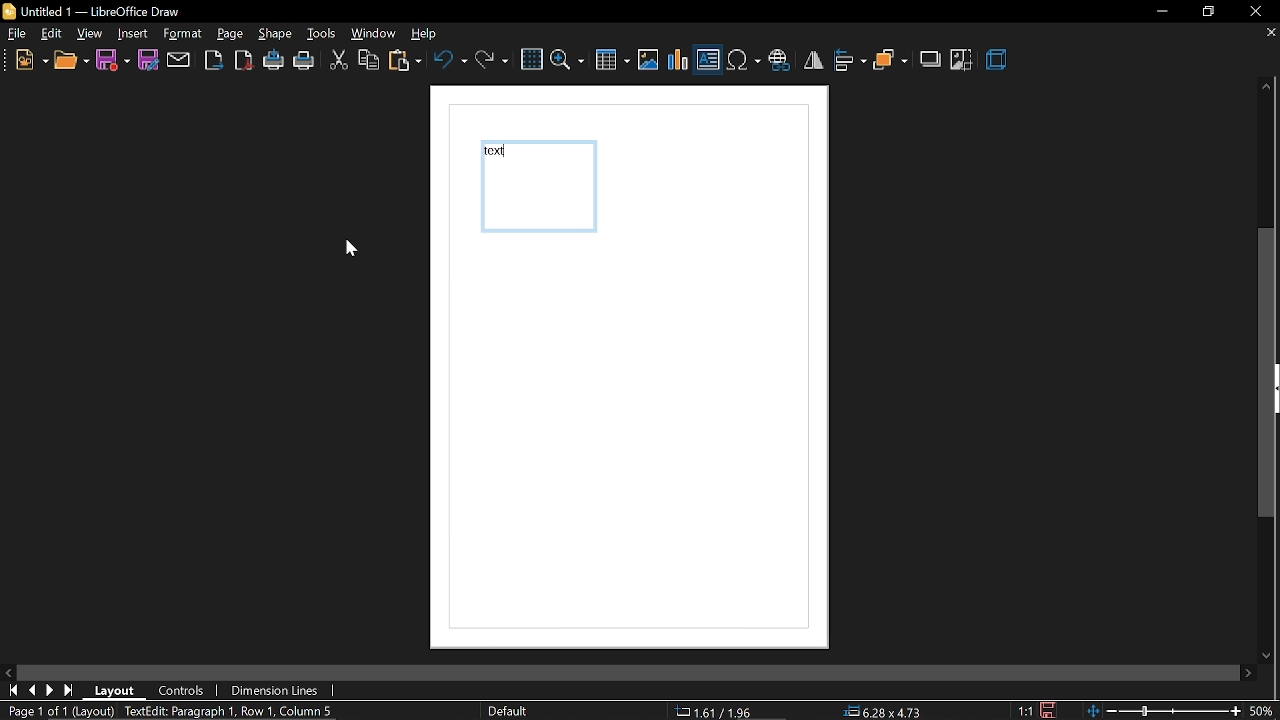 The image size is (1280, 720). I want to click on next page, so click(71, 690).